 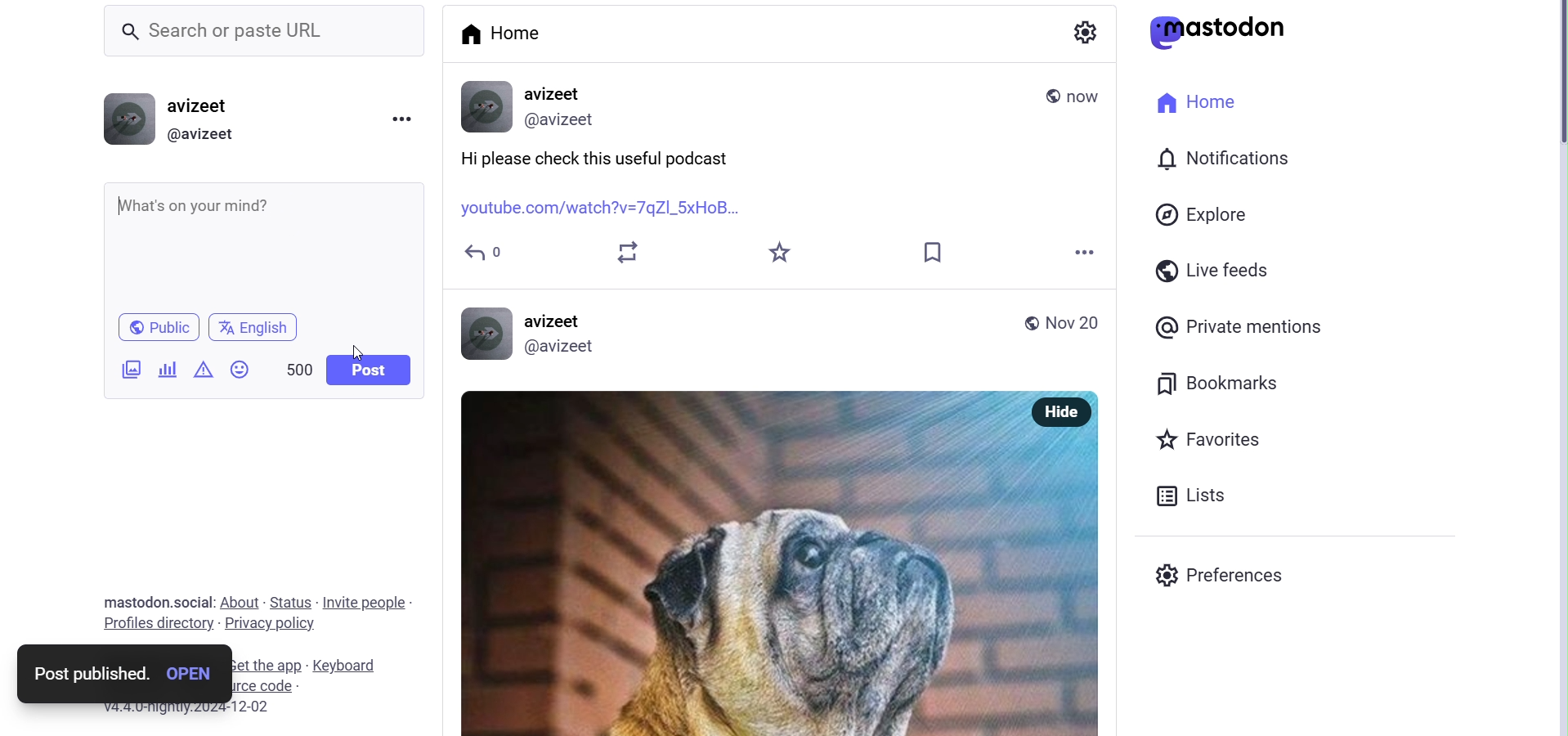 What do you see at coordinates (178, 711) in the screenshot?
I see `v4.4.0-nightly.2024-12-02` at bounding box center [178, 711].